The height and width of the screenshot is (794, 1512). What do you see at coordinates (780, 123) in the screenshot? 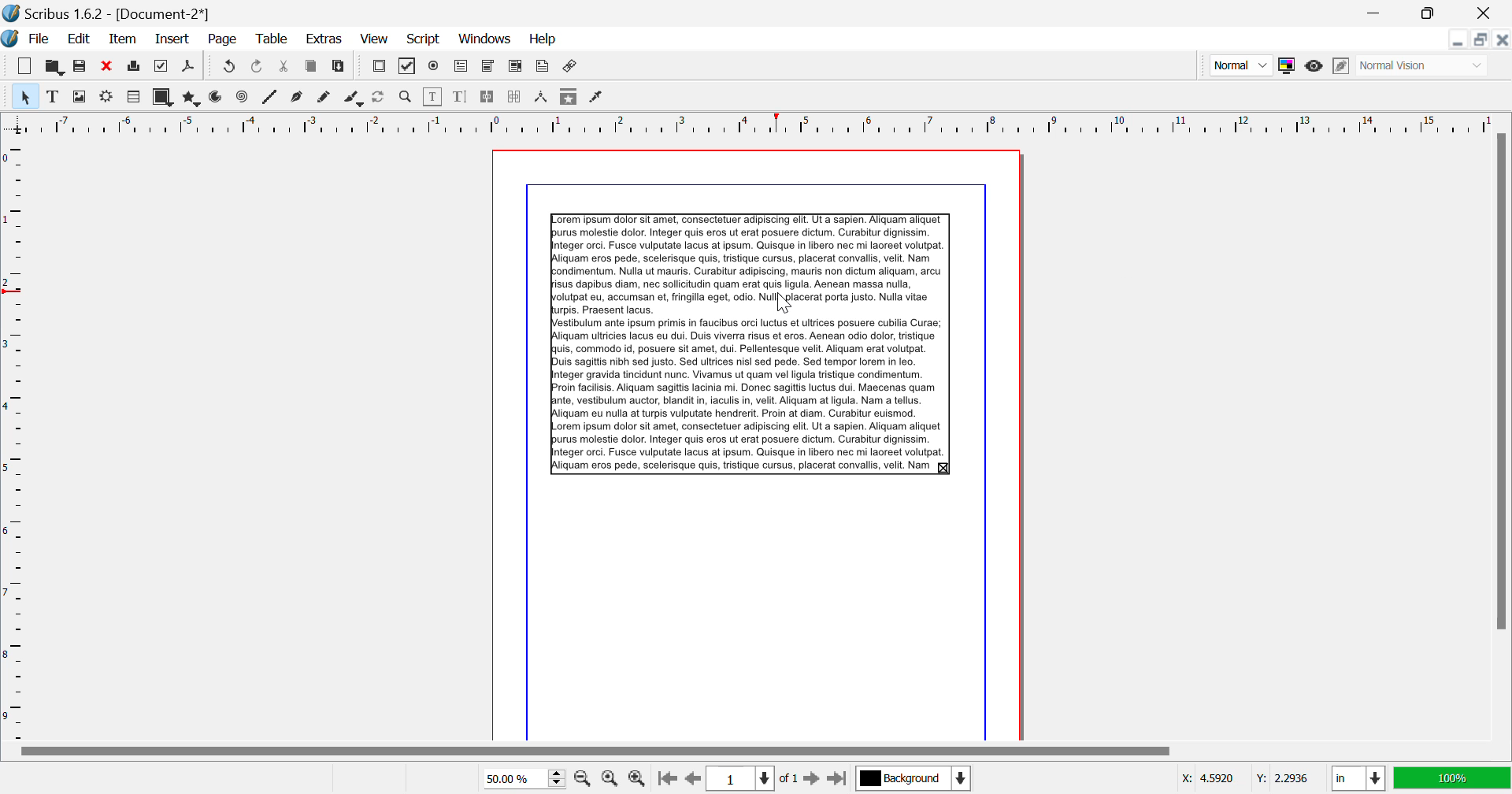
I see `Vertical Page Margin` at bounding box center [780, 123].